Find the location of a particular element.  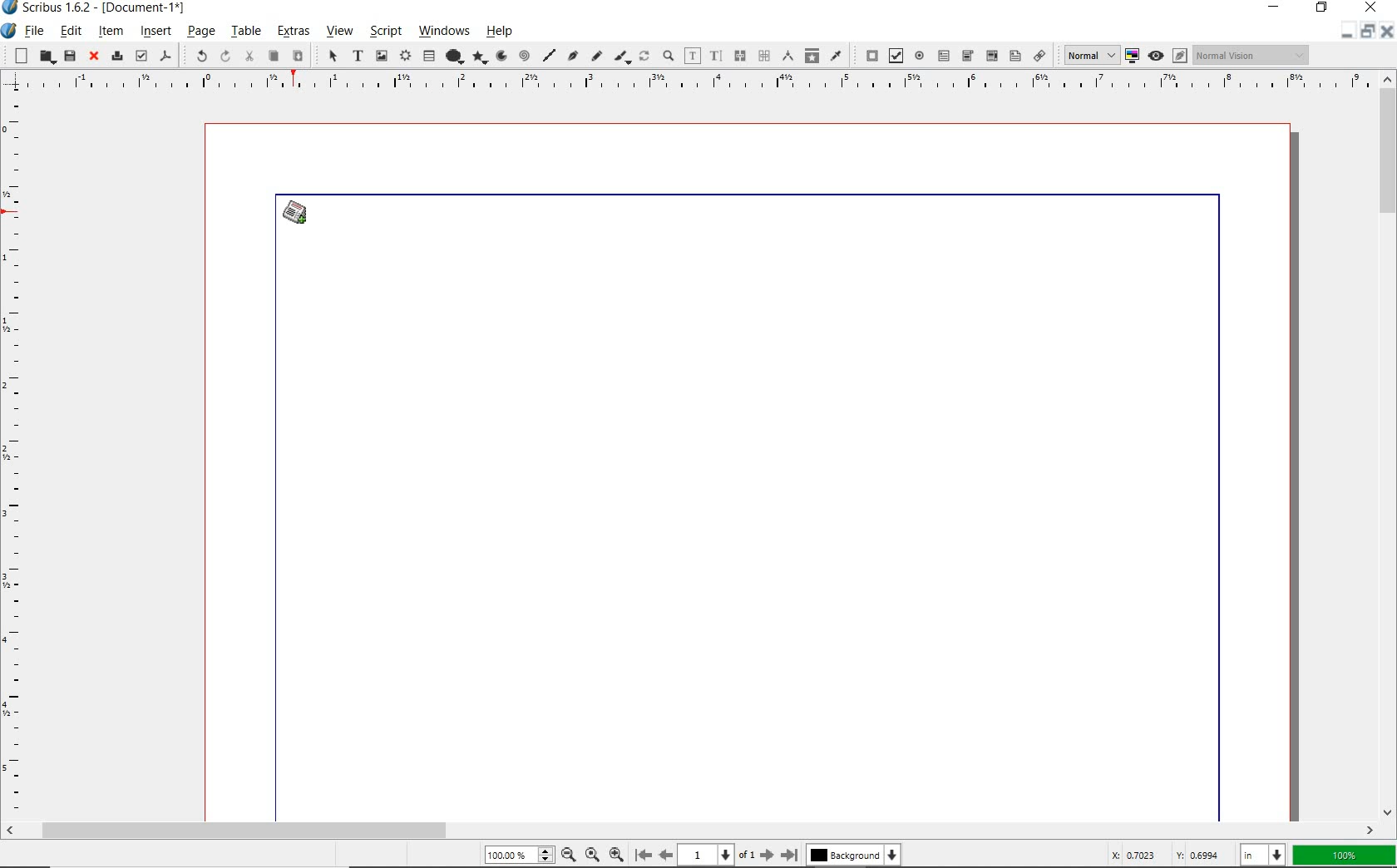

rotate item is located at coordinates (644, 55).